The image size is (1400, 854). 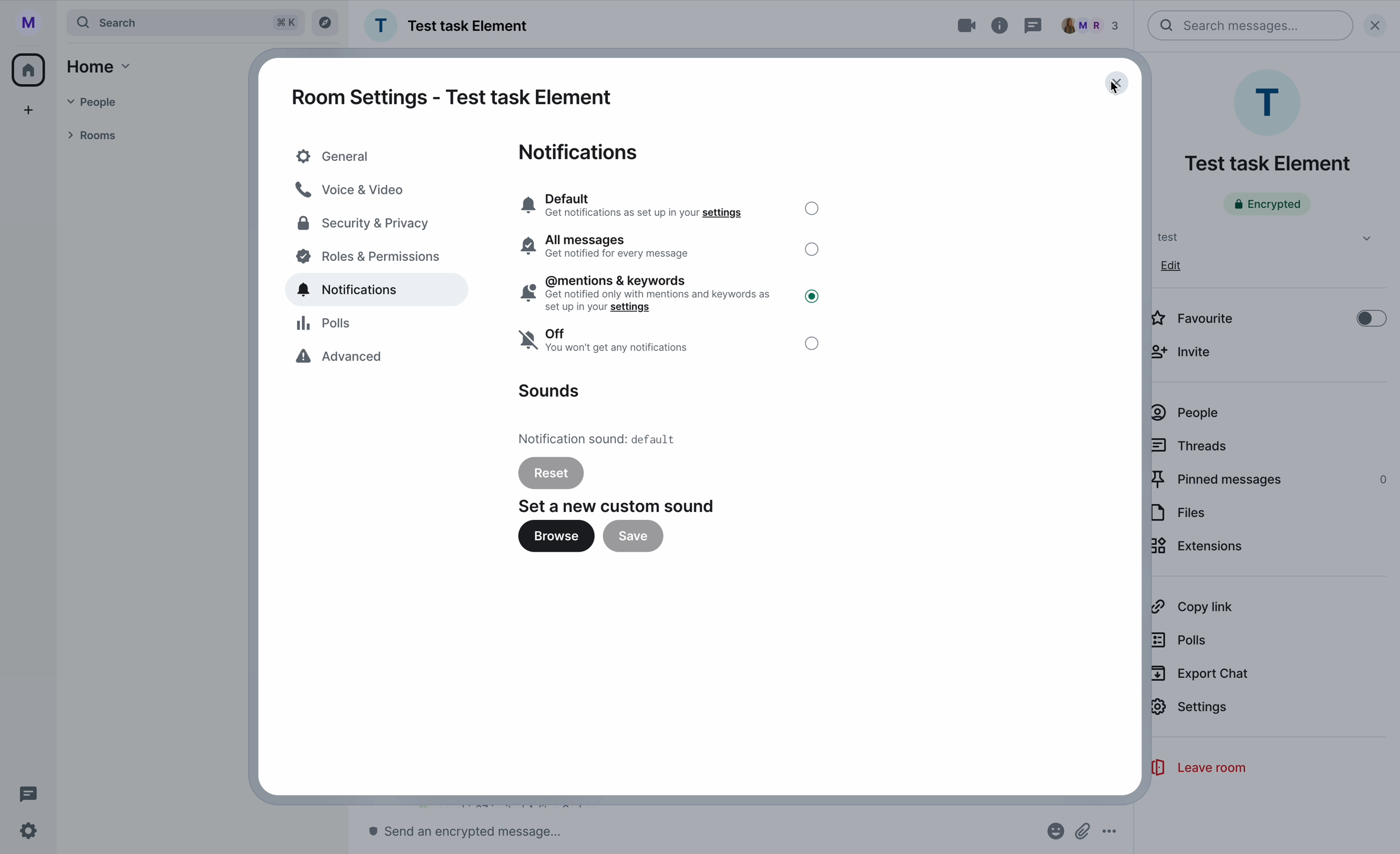 I want to click on leave room, so click(x=1197, y=768).